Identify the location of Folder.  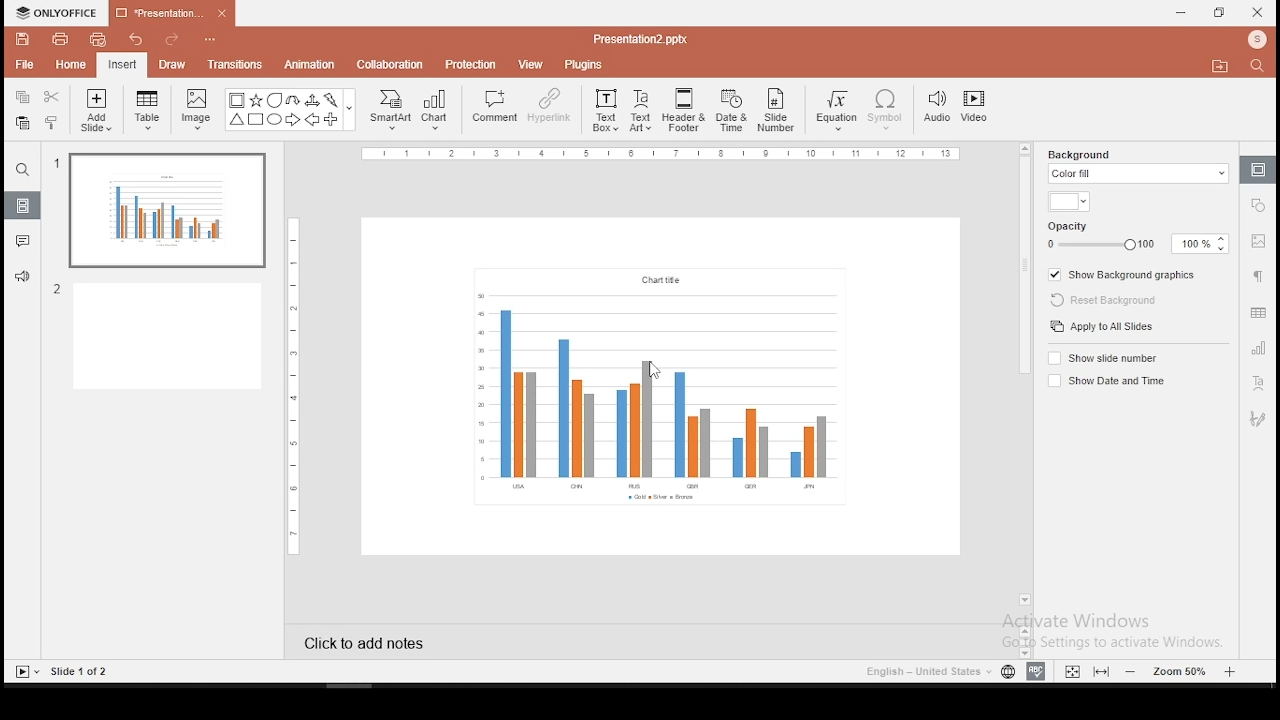
(1220, 66).